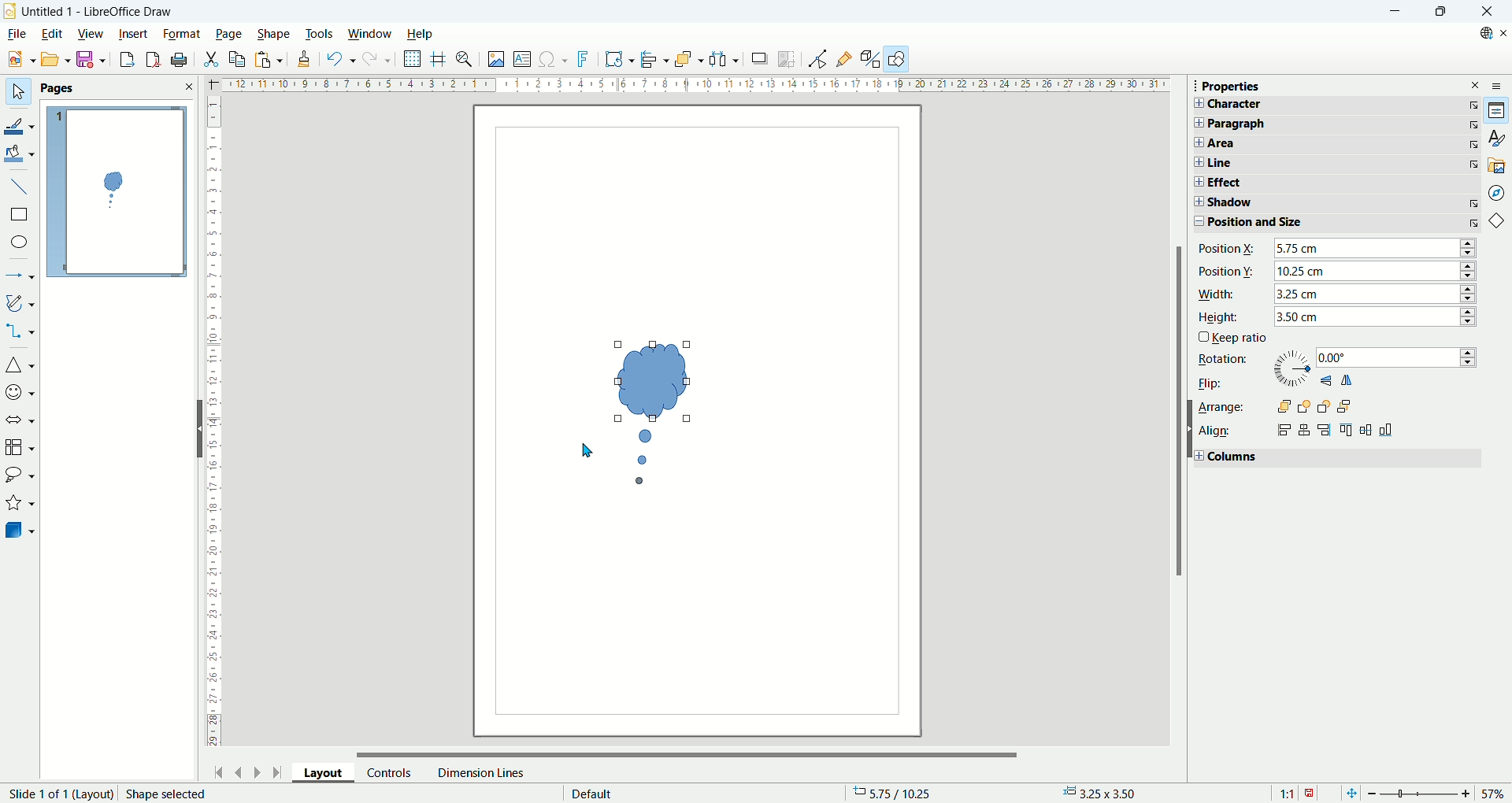 Image resolution: width=1512 pixels, height=803 pixels. I want to click on fill color, so click(20, 153).